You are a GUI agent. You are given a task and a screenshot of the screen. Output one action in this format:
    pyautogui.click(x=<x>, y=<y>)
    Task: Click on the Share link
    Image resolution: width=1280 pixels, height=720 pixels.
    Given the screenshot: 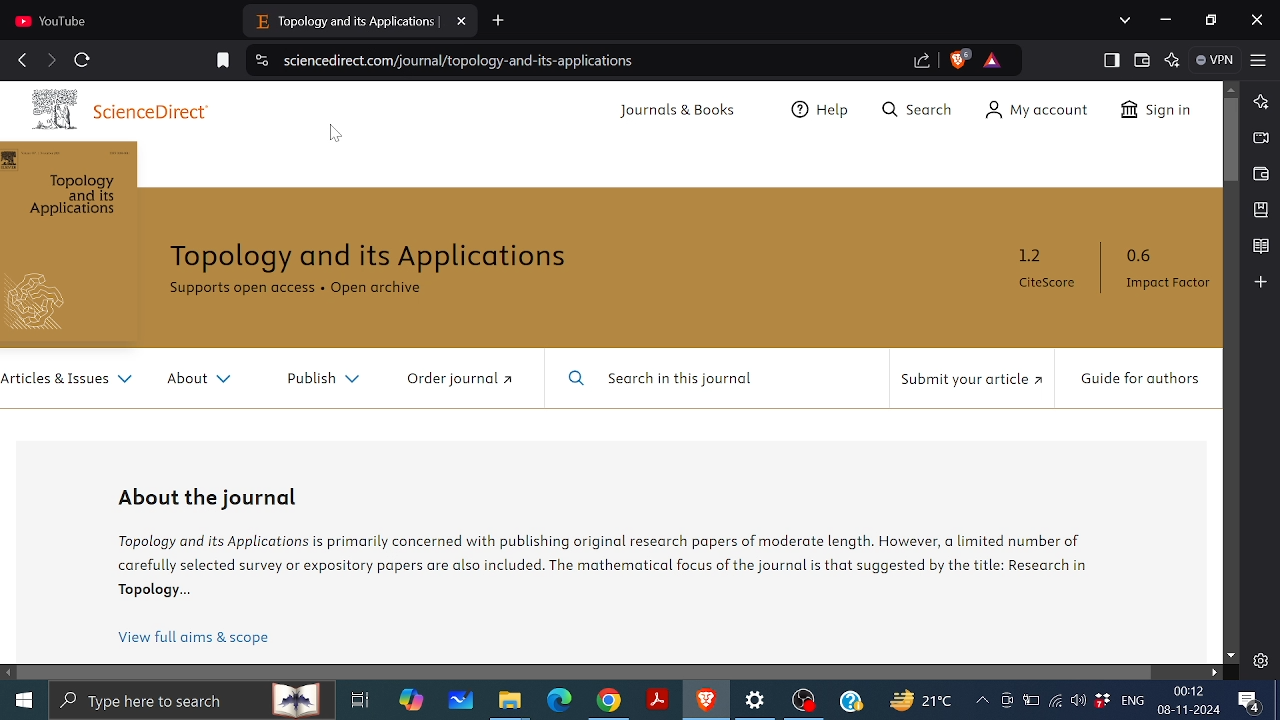 What is the action you would take?
    pyautogui.click(x=923, y=62)
    